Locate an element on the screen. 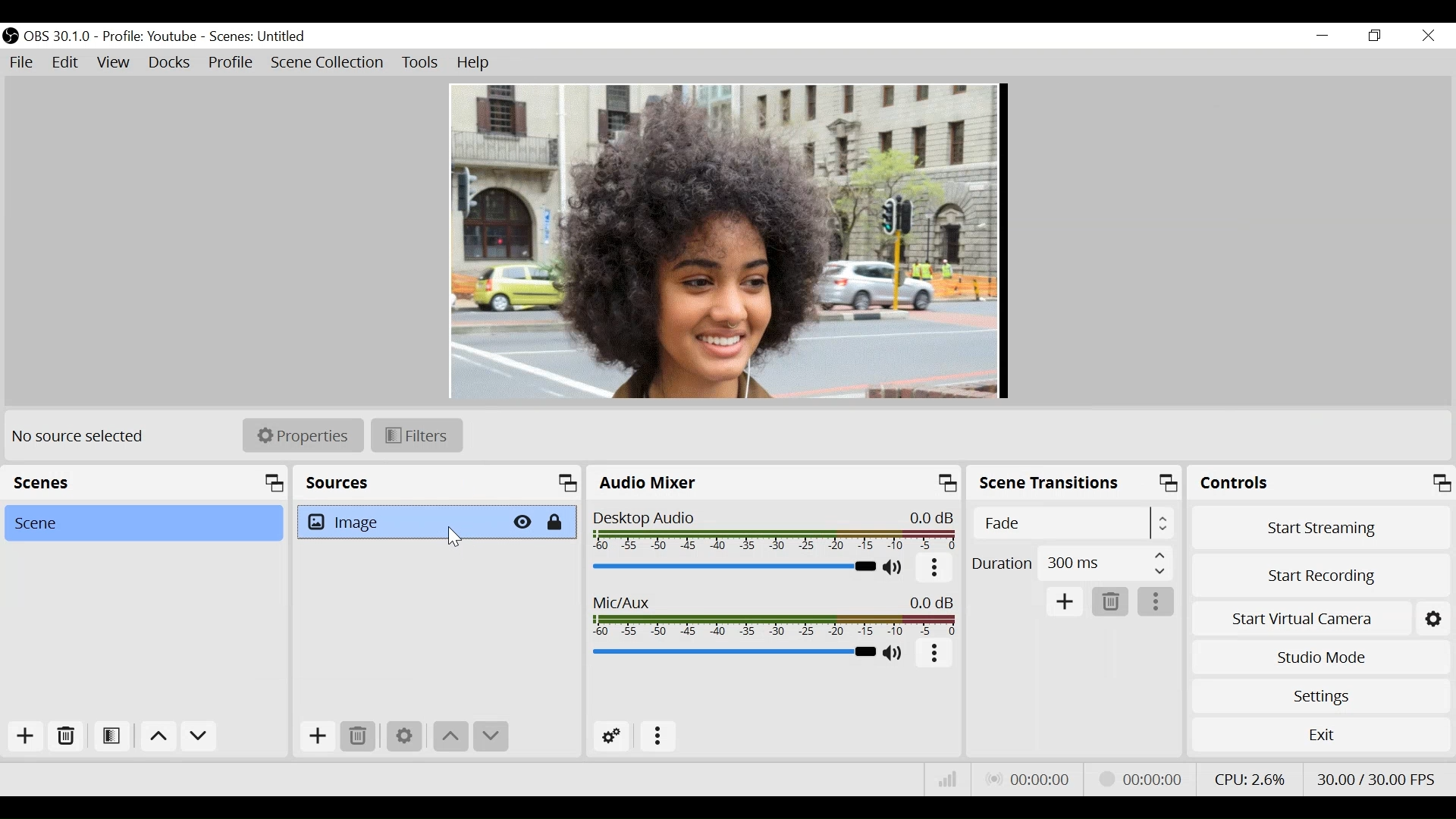  Mic/Aux is located at coordinates (777, 615).